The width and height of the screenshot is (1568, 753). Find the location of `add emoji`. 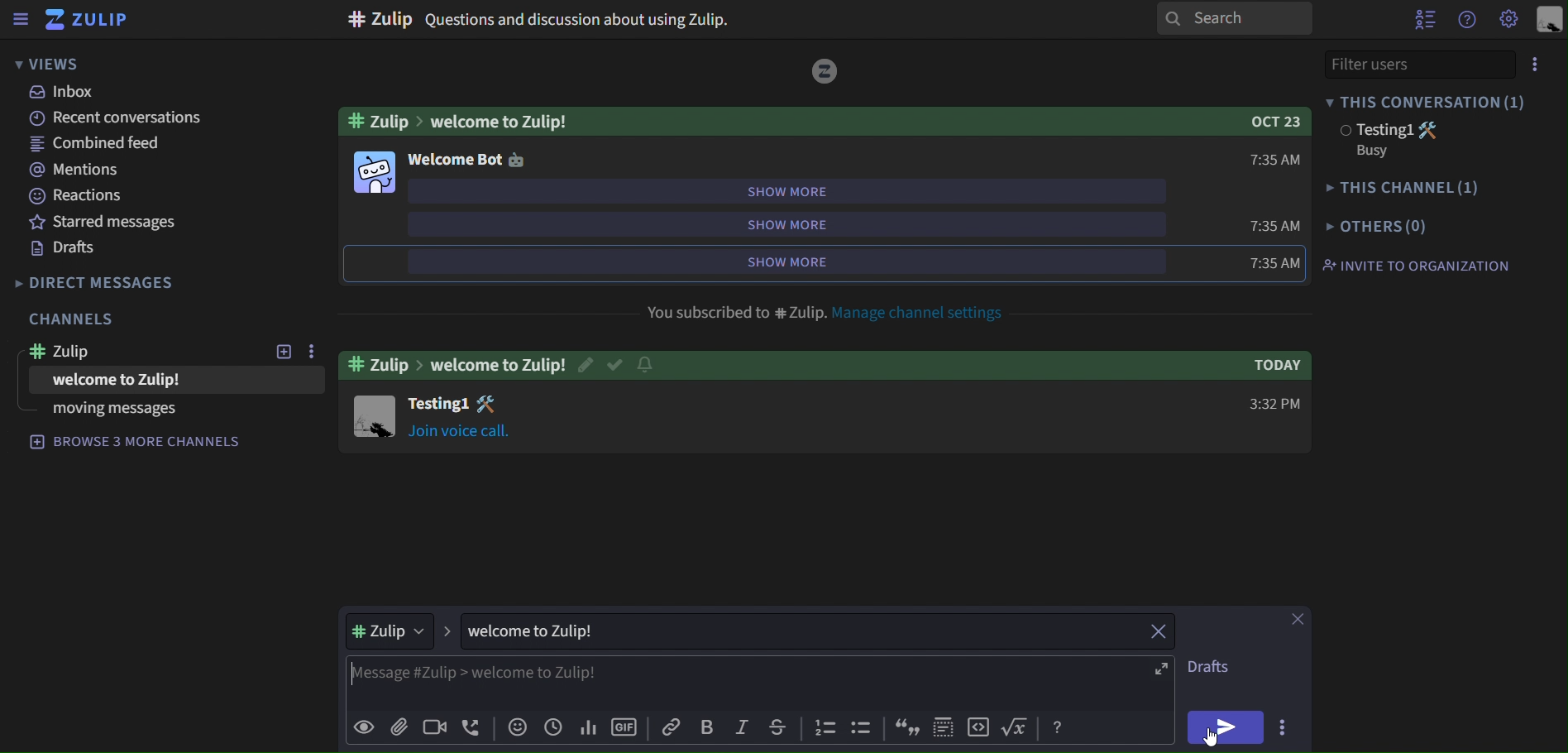

add emoji is located at coordinates (518, 727).